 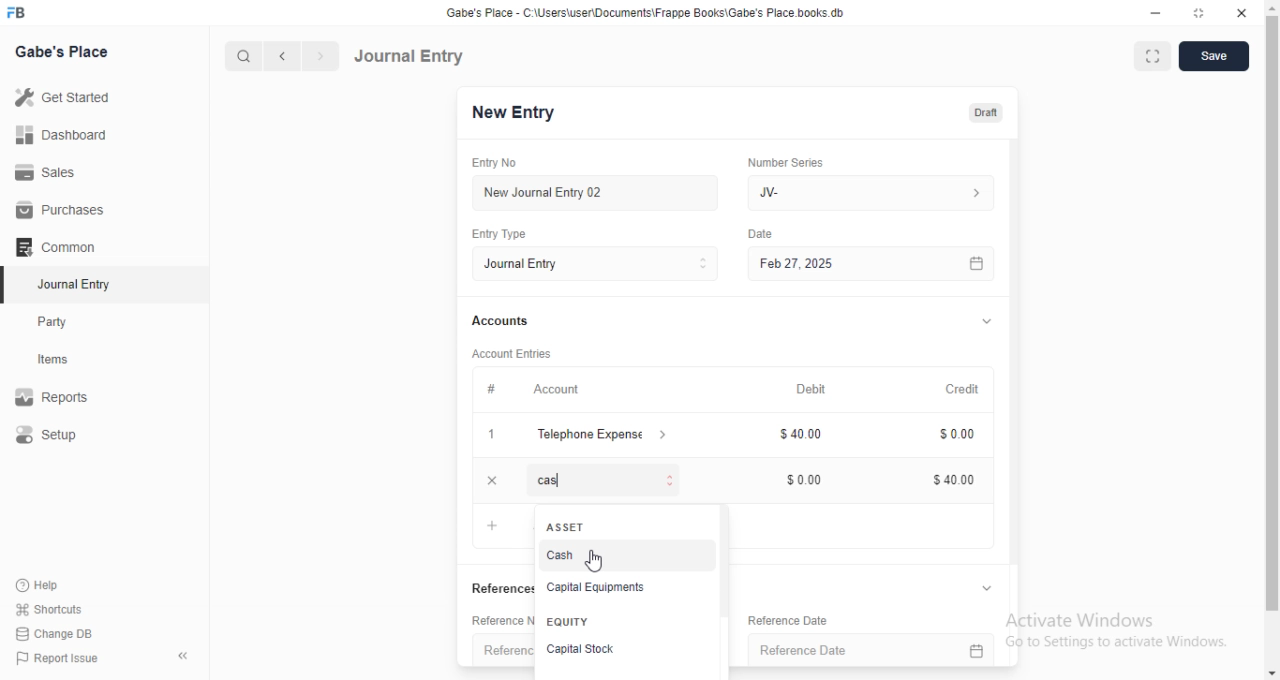 I want to click on Help, so click(x=36, y=585).